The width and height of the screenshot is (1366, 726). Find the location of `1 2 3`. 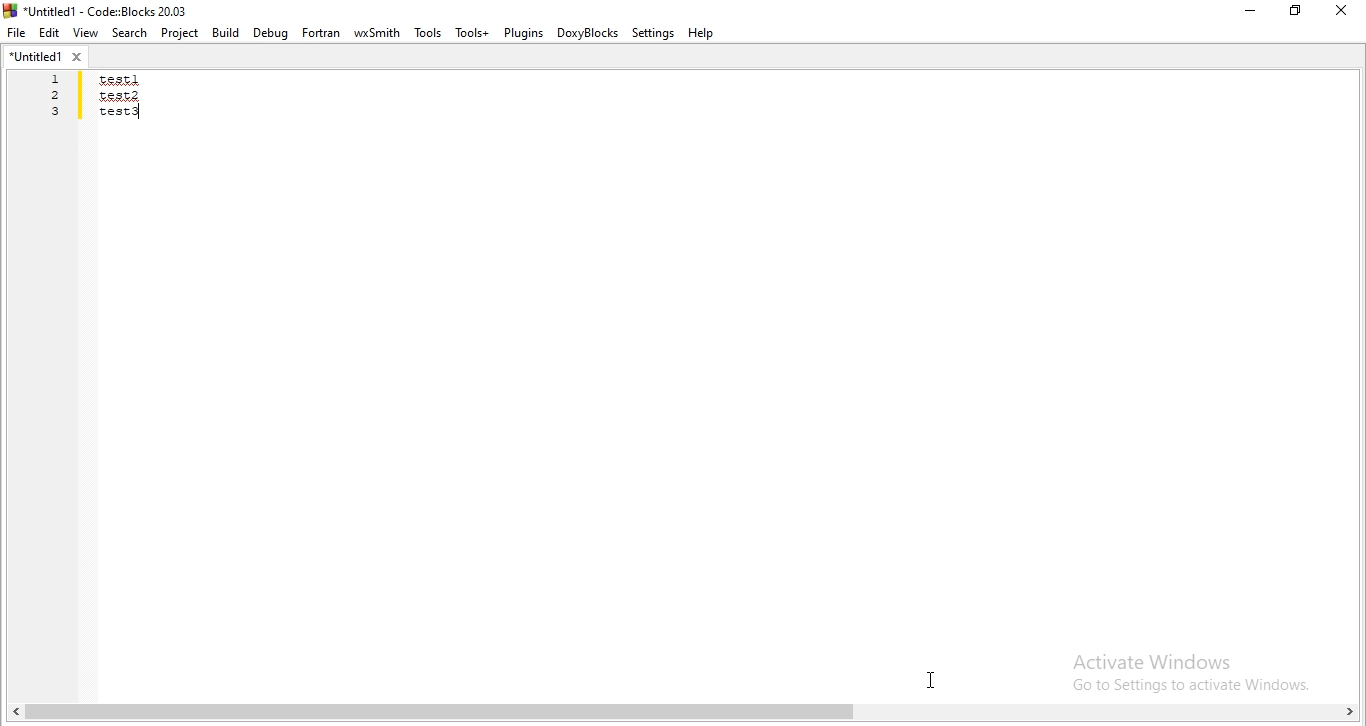

1 2 3 is located at coordinates (57, 96).